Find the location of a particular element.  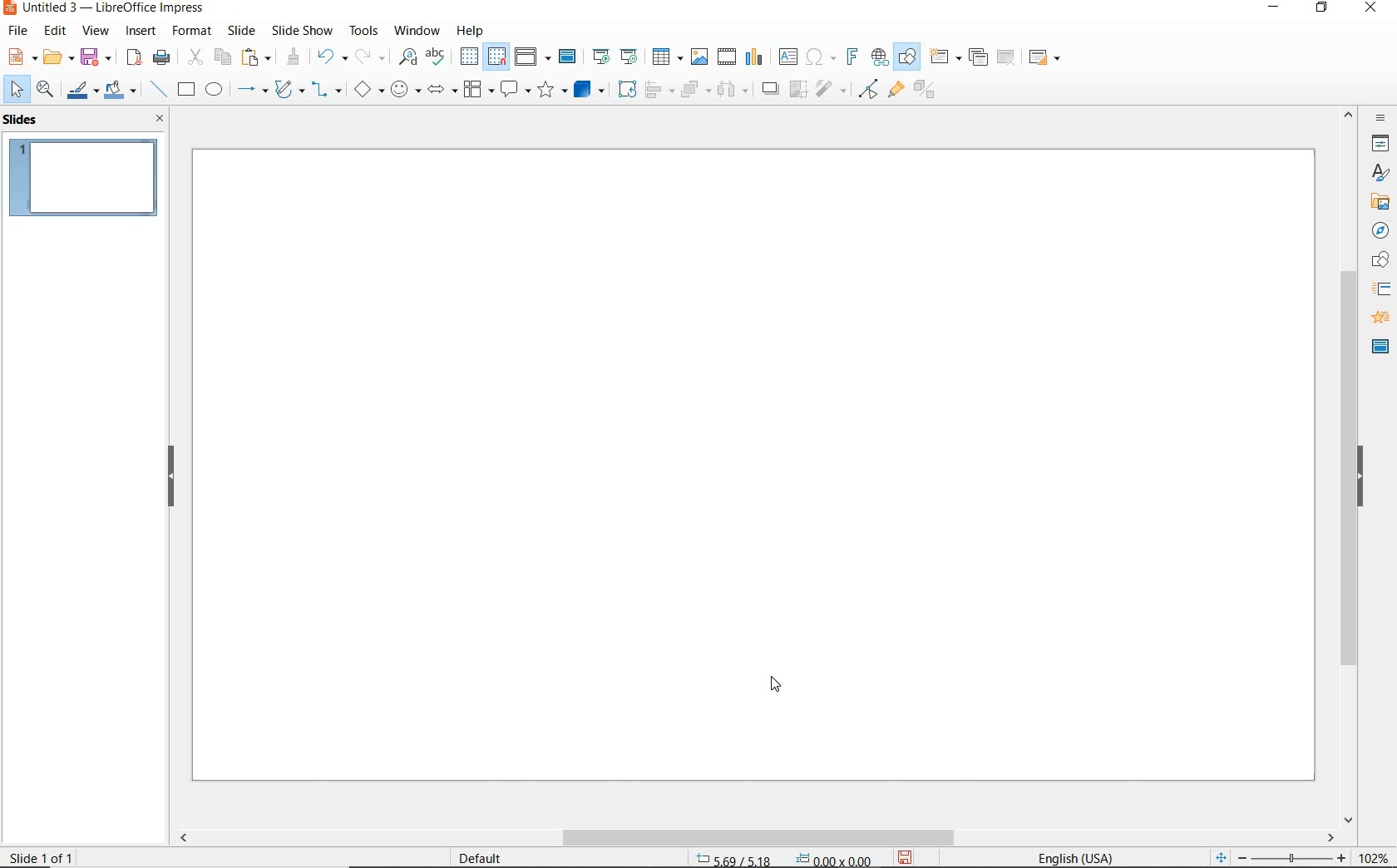

INSERT IMAGE is located at coordinates (695, 57).